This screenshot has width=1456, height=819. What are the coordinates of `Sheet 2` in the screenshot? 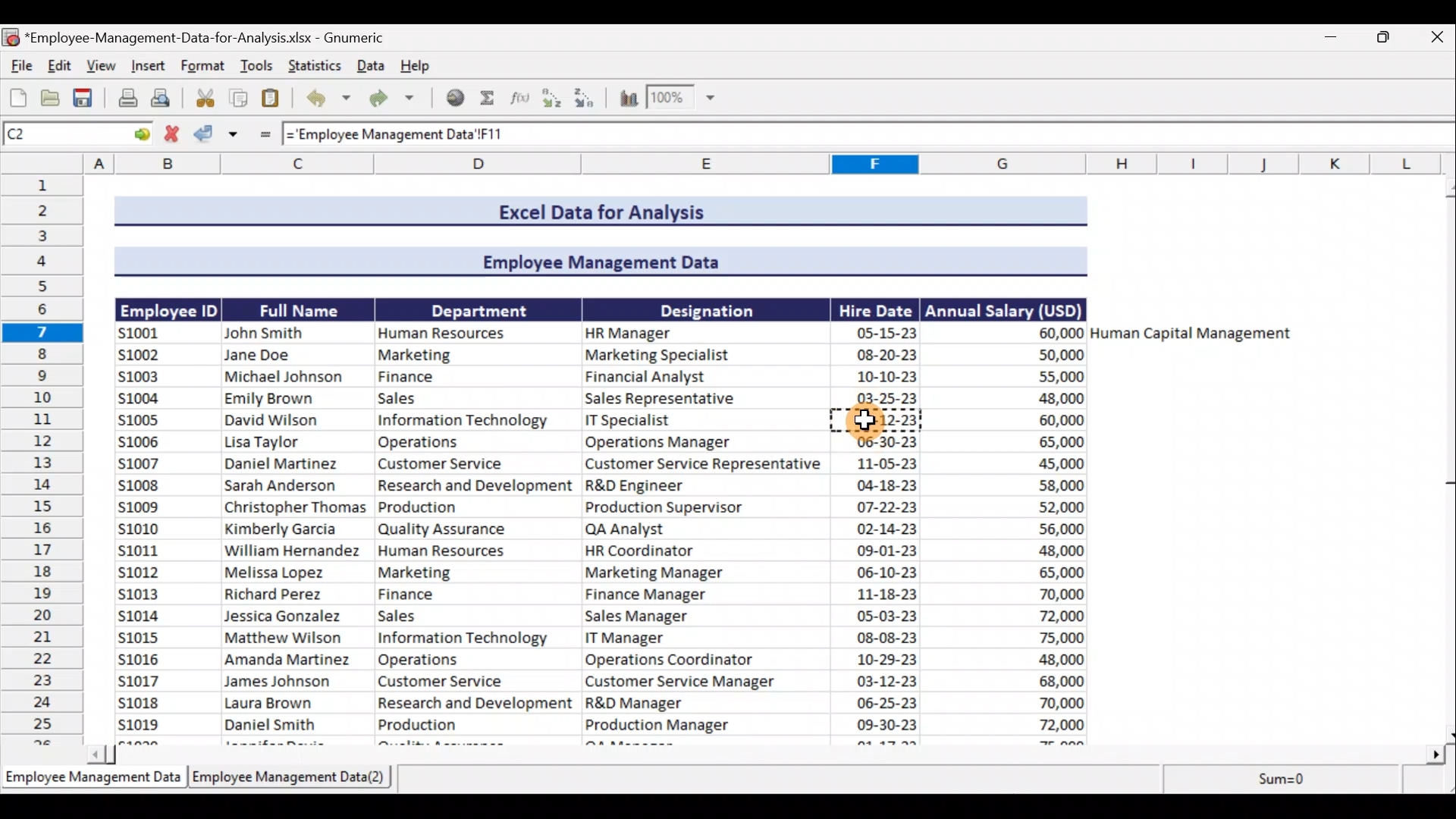 It's located at (297, 782).